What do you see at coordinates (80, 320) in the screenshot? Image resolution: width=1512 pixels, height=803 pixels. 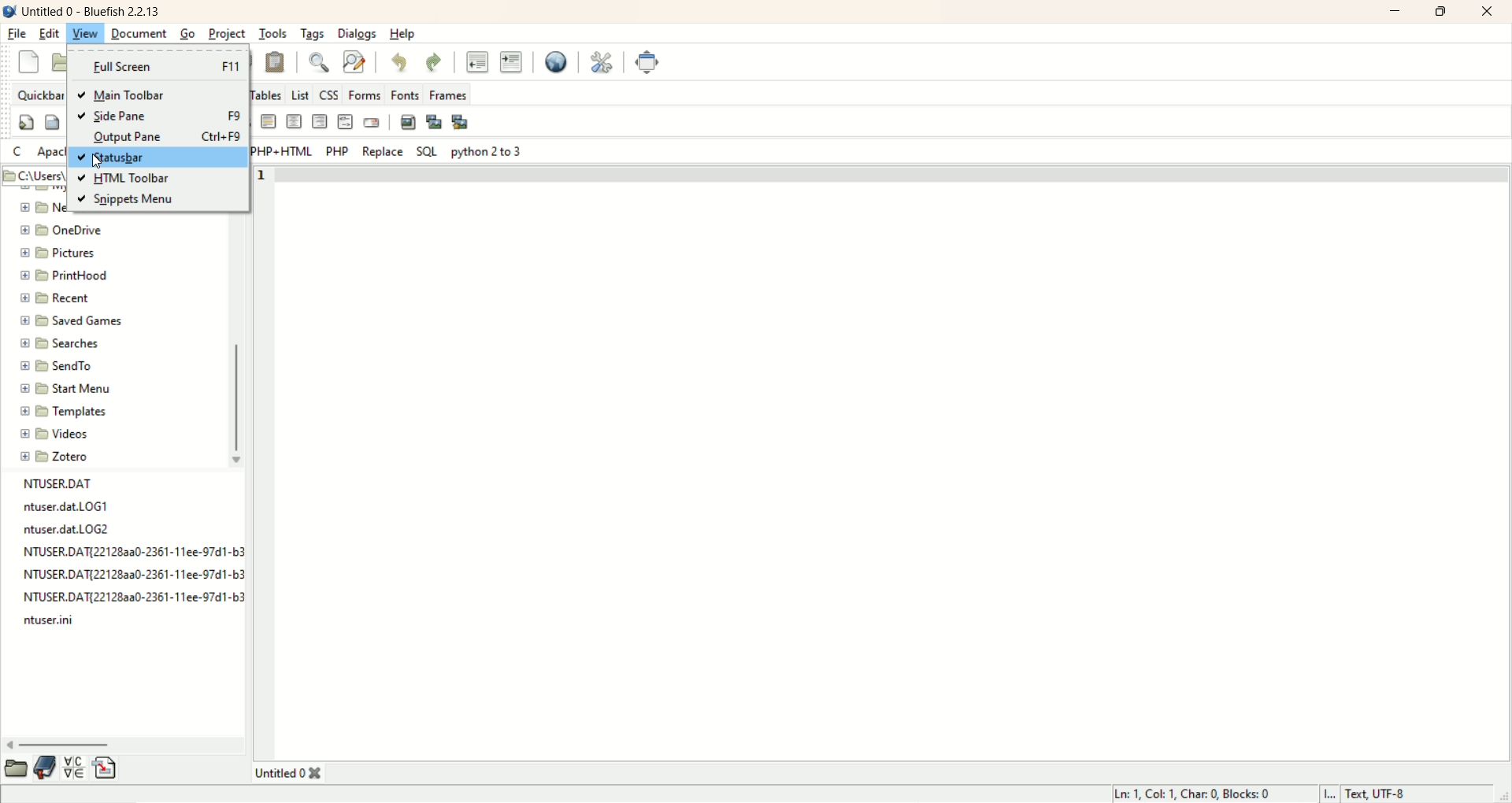 I see `saved games` at bounding box center [80, 320].